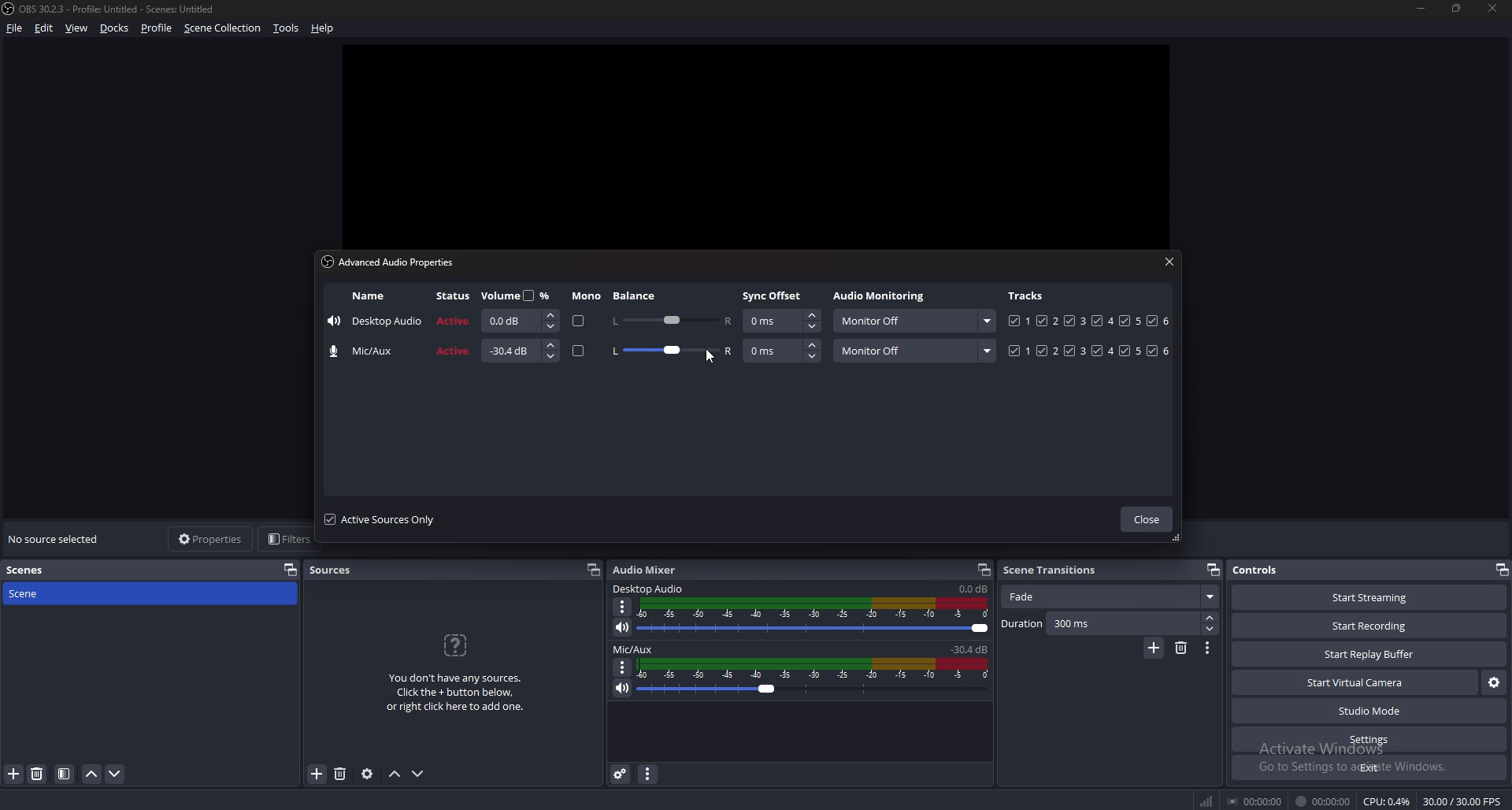  I want to click on scene collection, so click(223, 28).